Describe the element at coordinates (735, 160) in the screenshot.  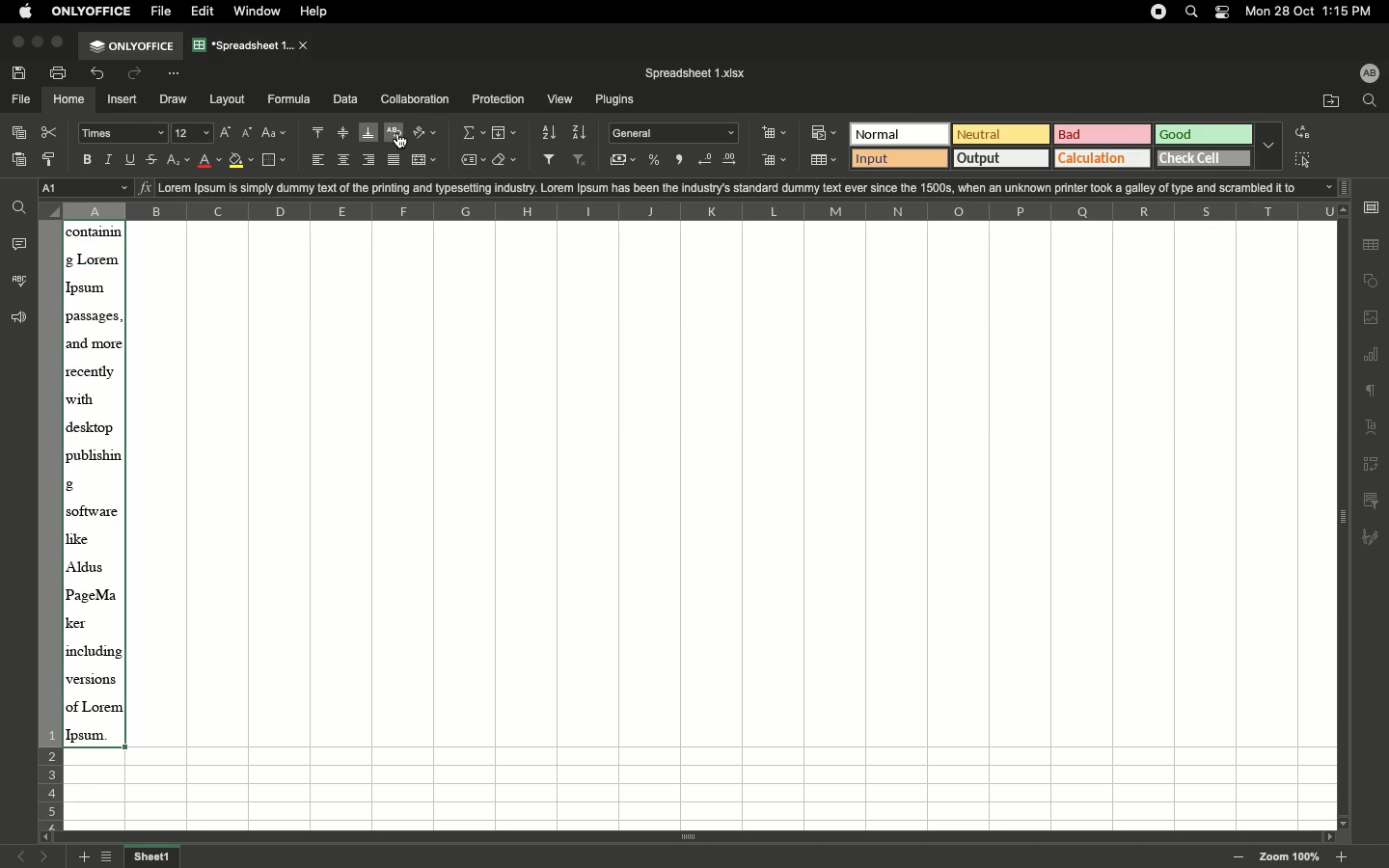
I see `Increase decimal ` at that location.